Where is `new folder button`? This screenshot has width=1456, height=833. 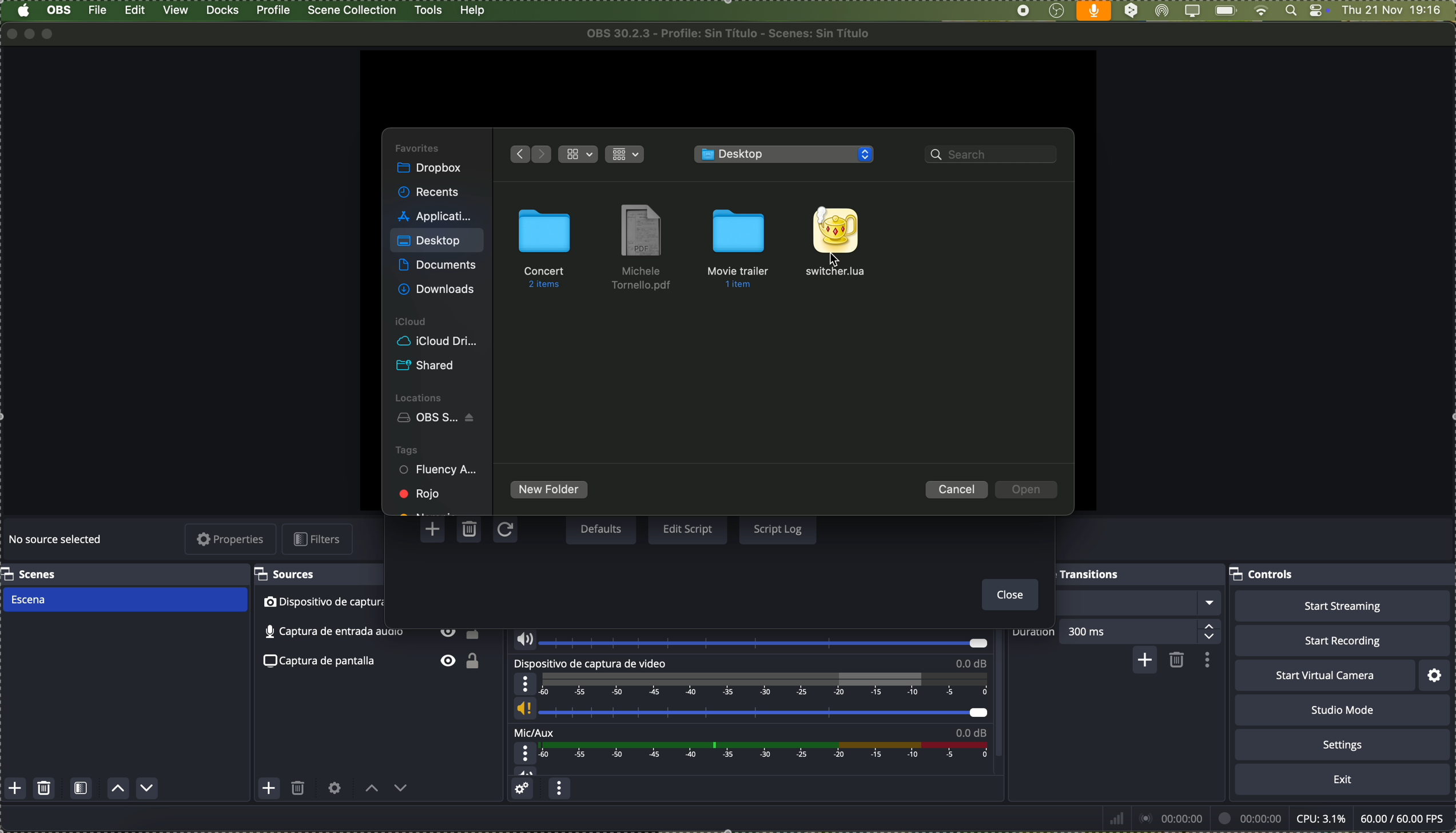
new folder button is located at coordinates (550, 491).